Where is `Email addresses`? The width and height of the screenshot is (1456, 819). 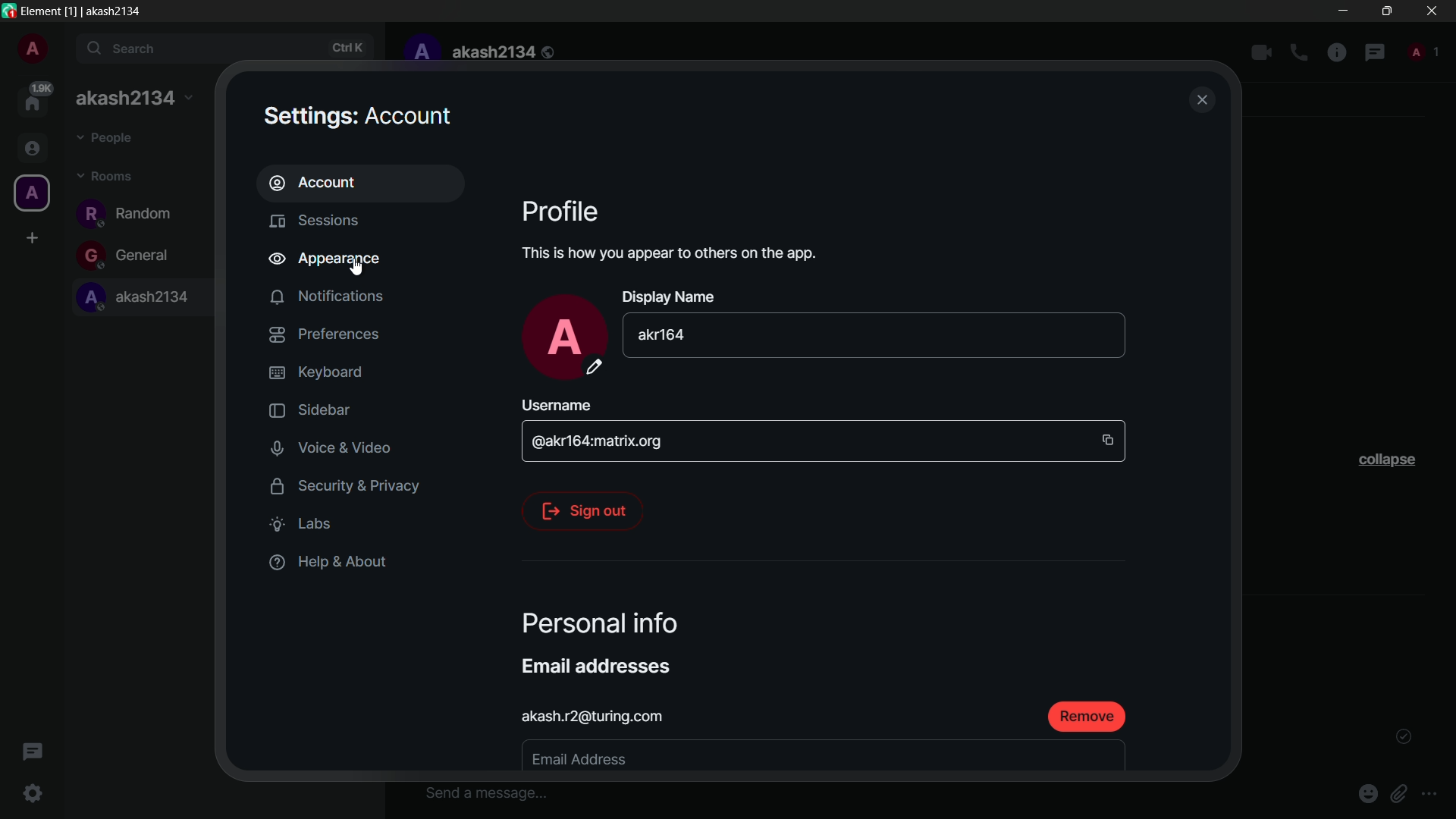
Email addresses is located at coordinates (600, 666).